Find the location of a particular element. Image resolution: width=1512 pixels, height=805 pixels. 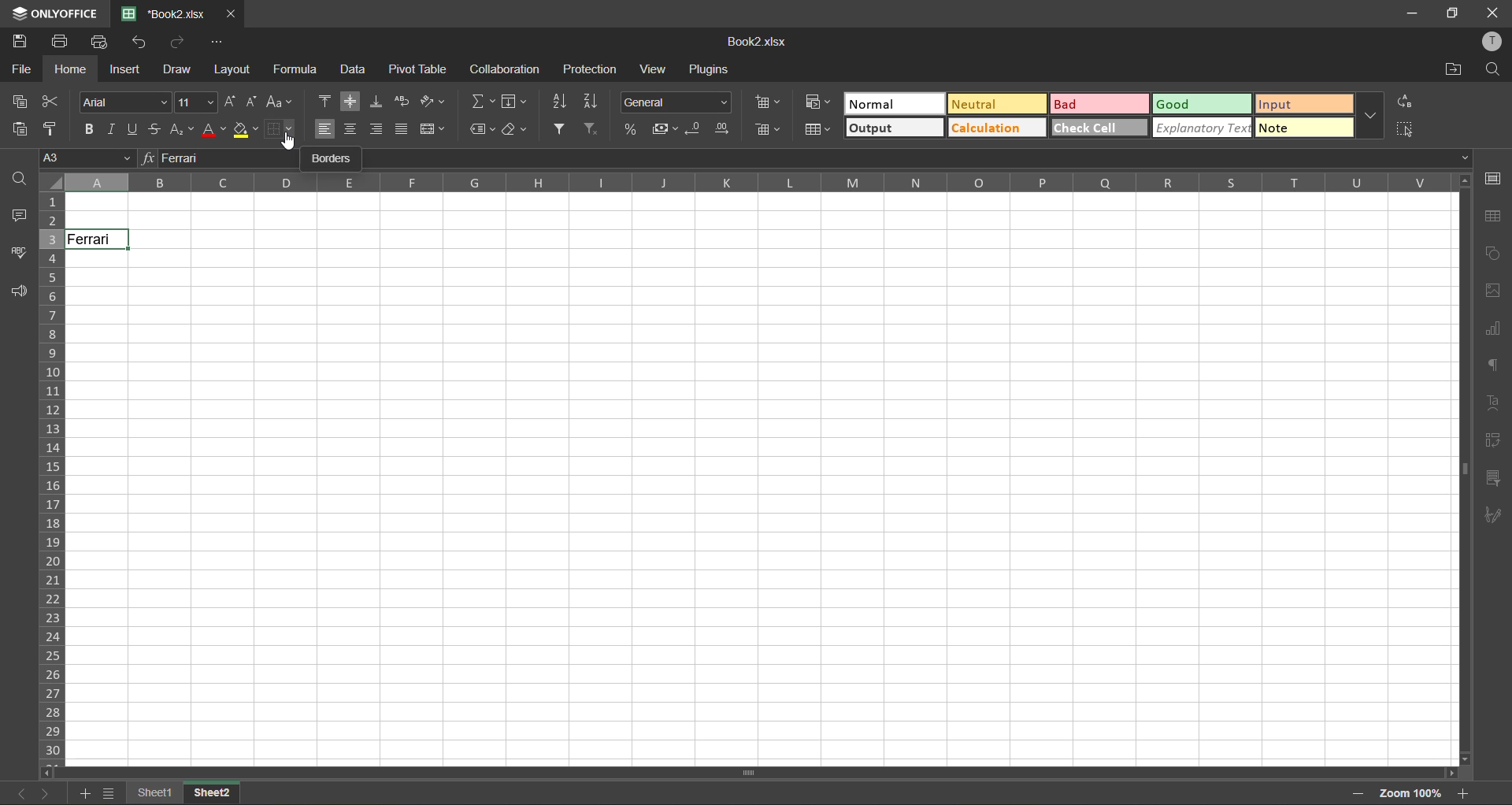

insert cells is located at coordinates (770, 101).